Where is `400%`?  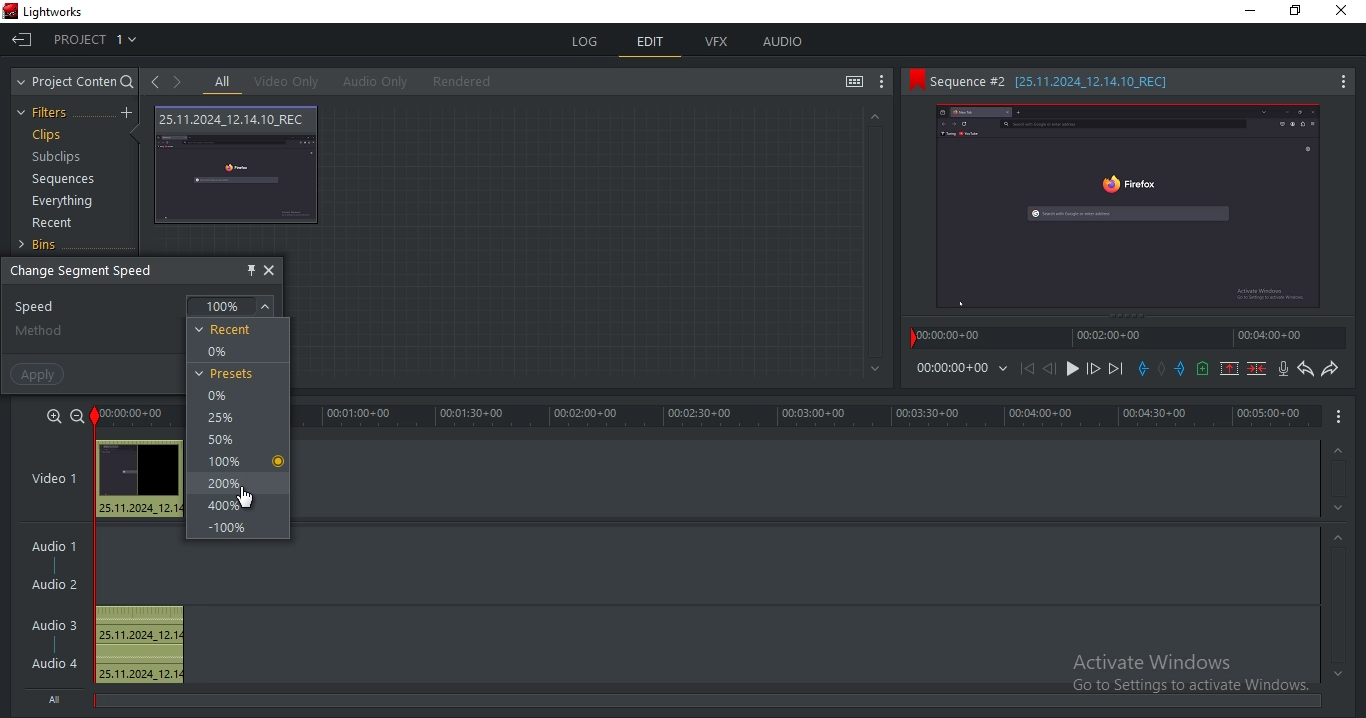
400% is located at coordinates (229, 506).